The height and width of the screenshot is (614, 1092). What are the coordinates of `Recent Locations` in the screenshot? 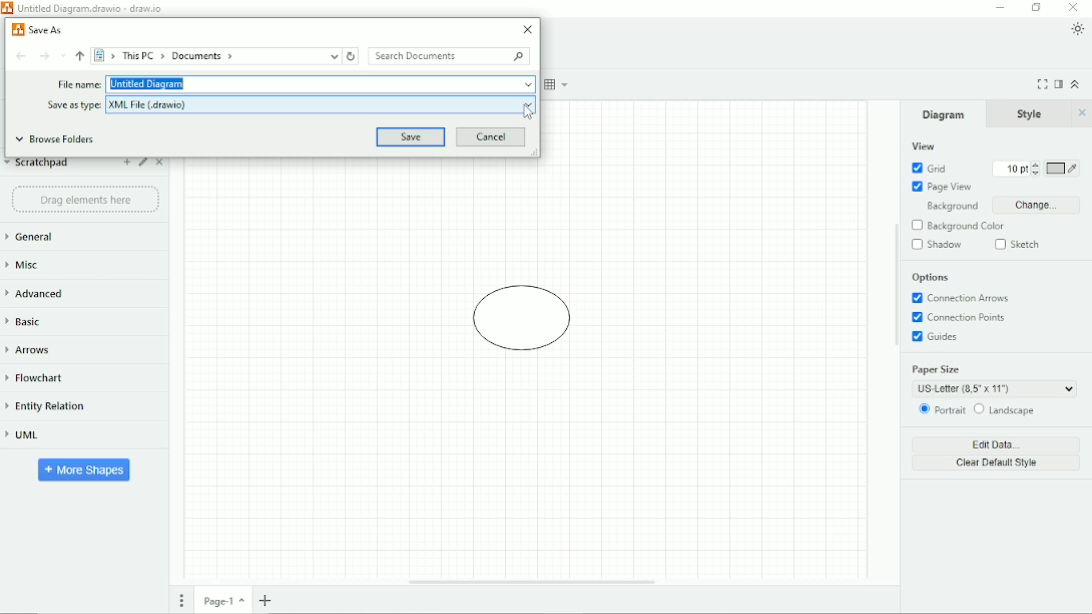 It's located at (63, 56).